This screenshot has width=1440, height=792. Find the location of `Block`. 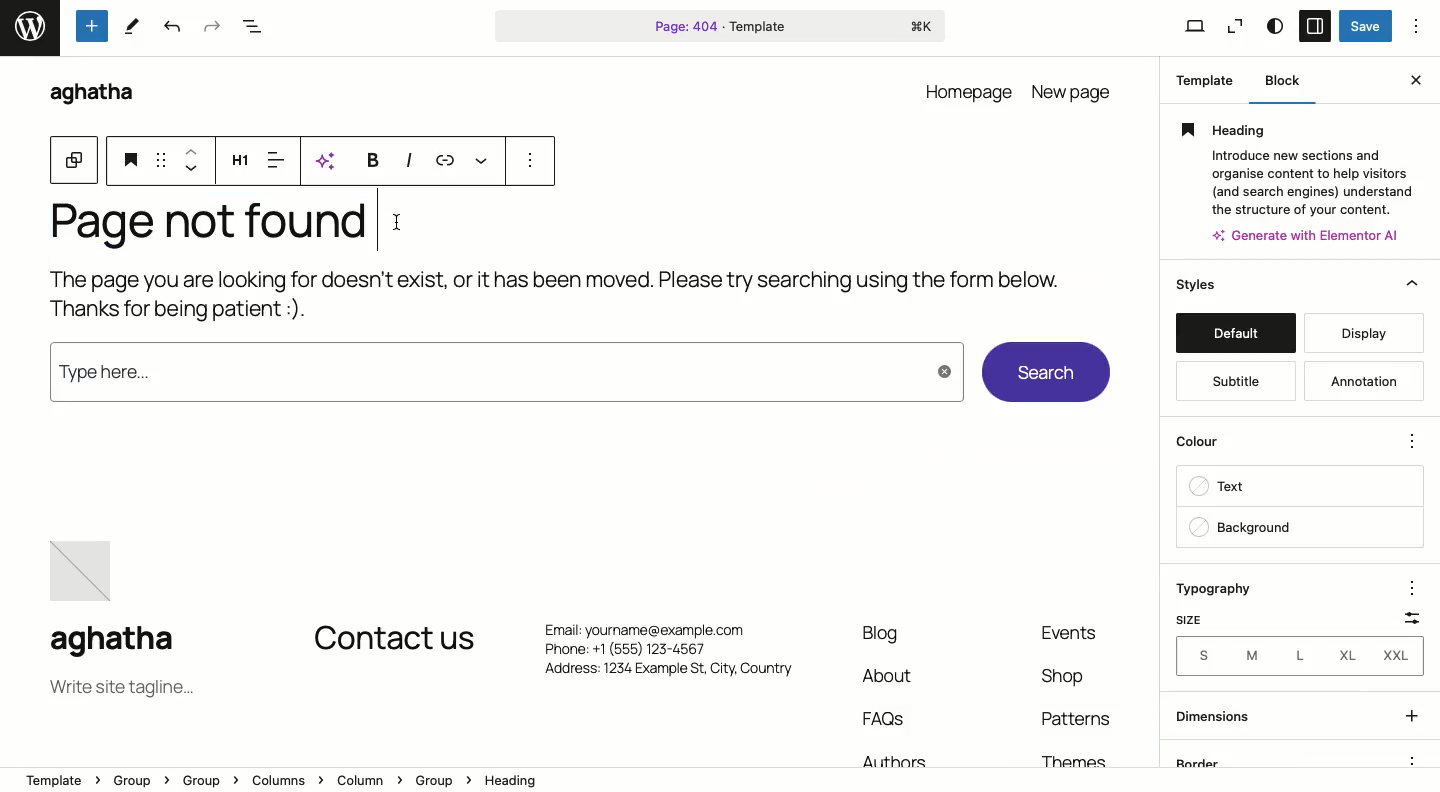

Block is located at coordinates (75, 158).